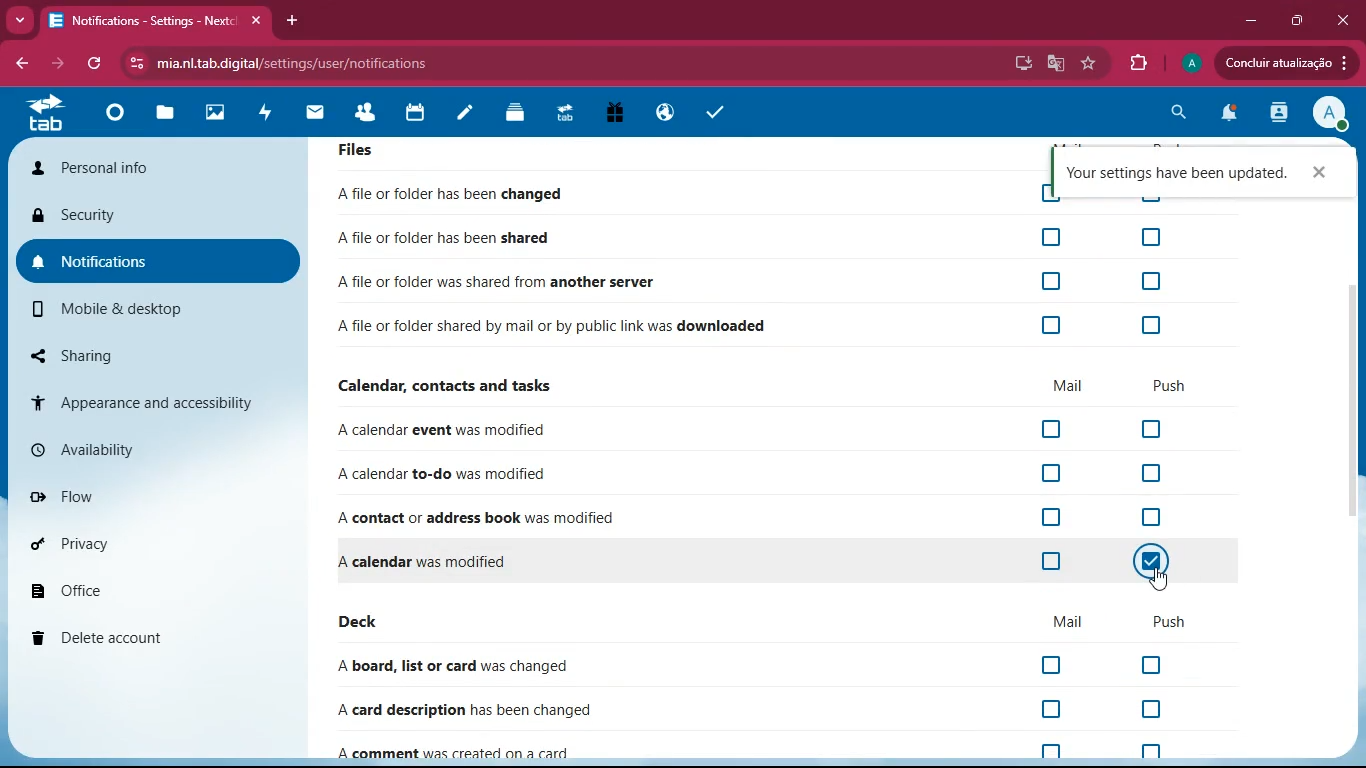  What do you see at coordinates (1356, 390) in the screenshot?
I see `scroll bar` at bounding box center [1356, 390].